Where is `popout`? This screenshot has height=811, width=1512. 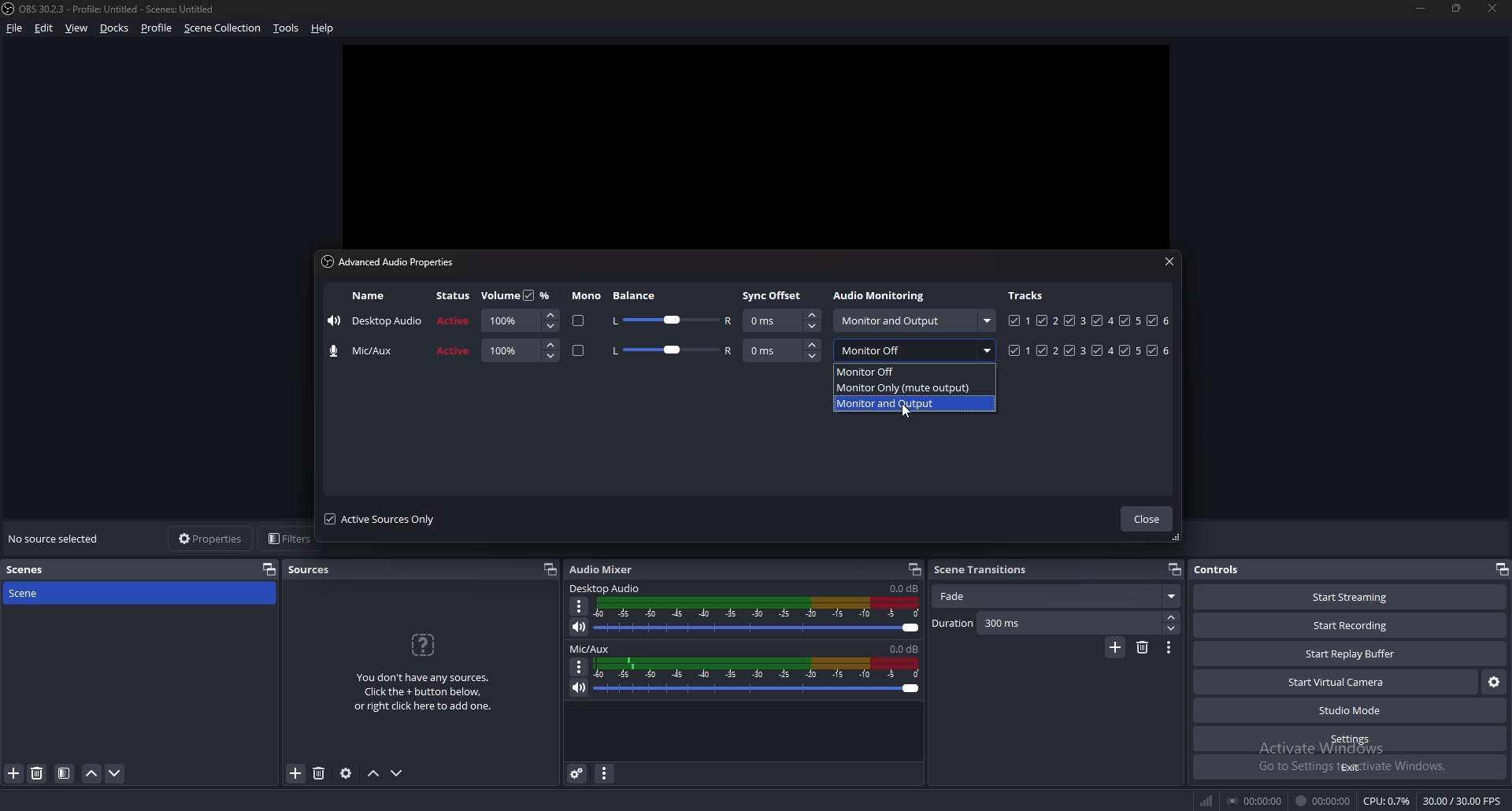 popout is located at coordinates (915, 569).